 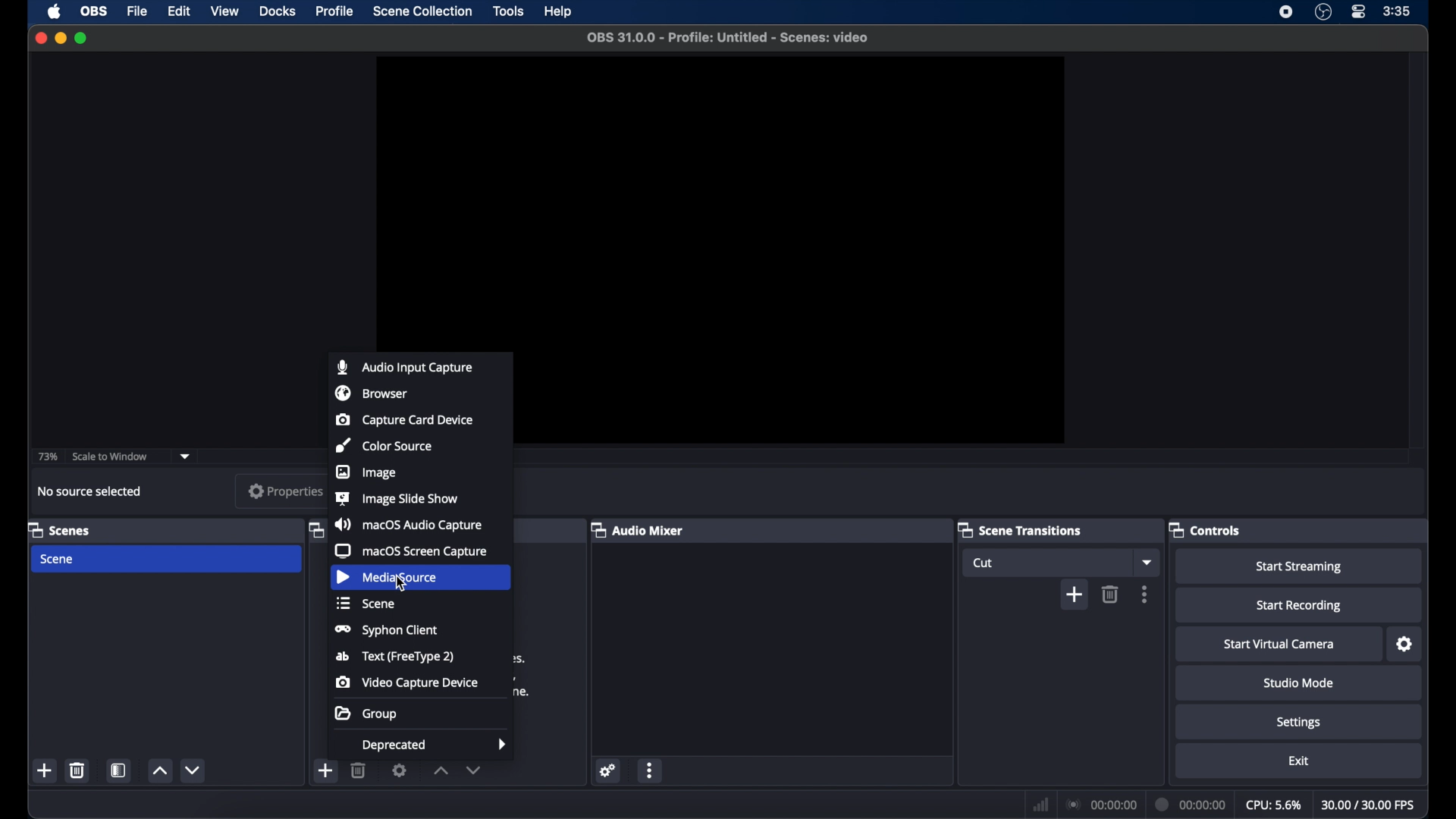 What do you see at coordinates (82, 39) in the screenshot?
I see `maximize` at bounding box center [82, 39].